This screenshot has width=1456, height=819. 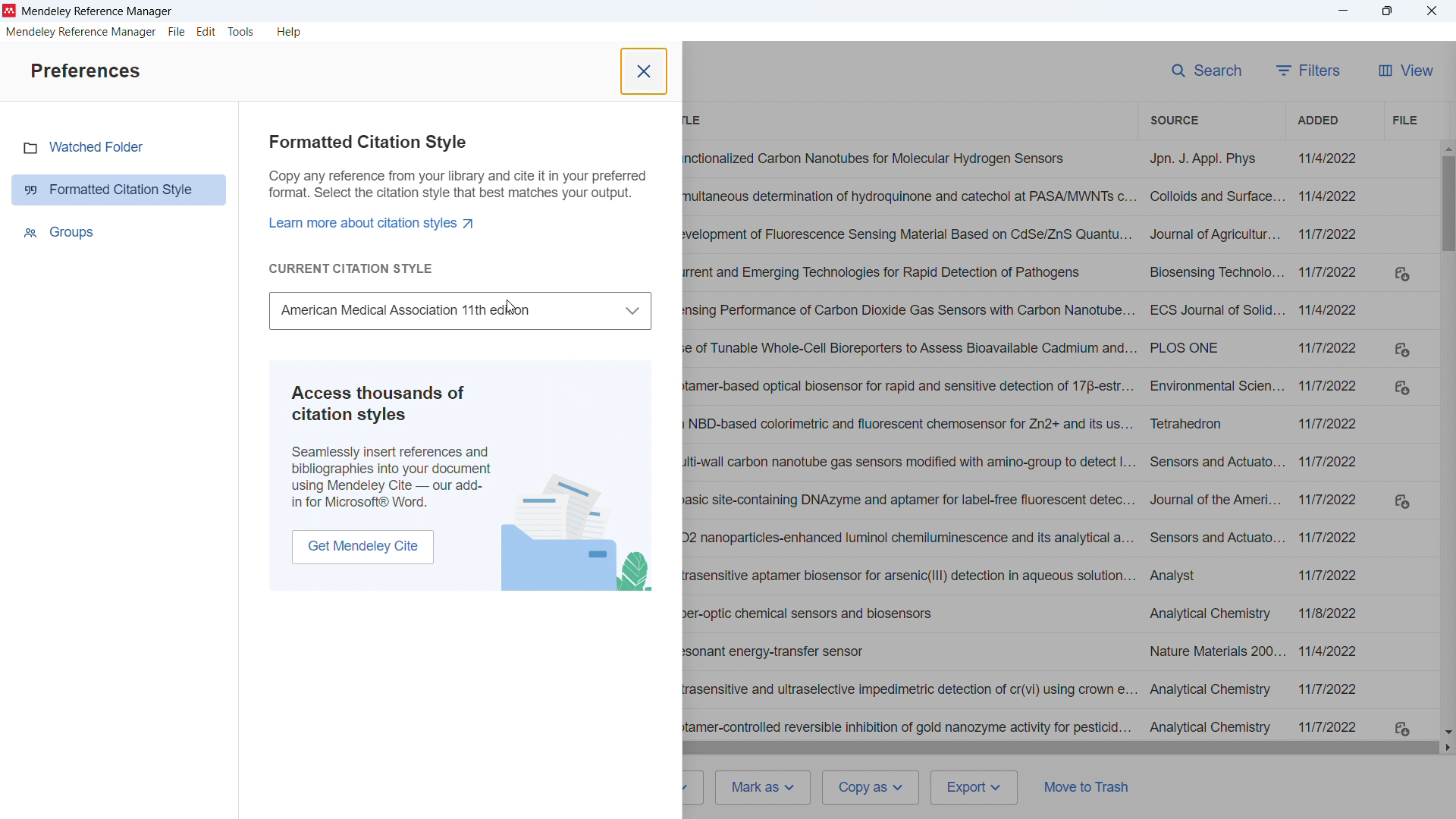 What do you see at coordinates (1344, 11) in the screenshot?
I see `minimise ` at bounding box center [1344, 11].